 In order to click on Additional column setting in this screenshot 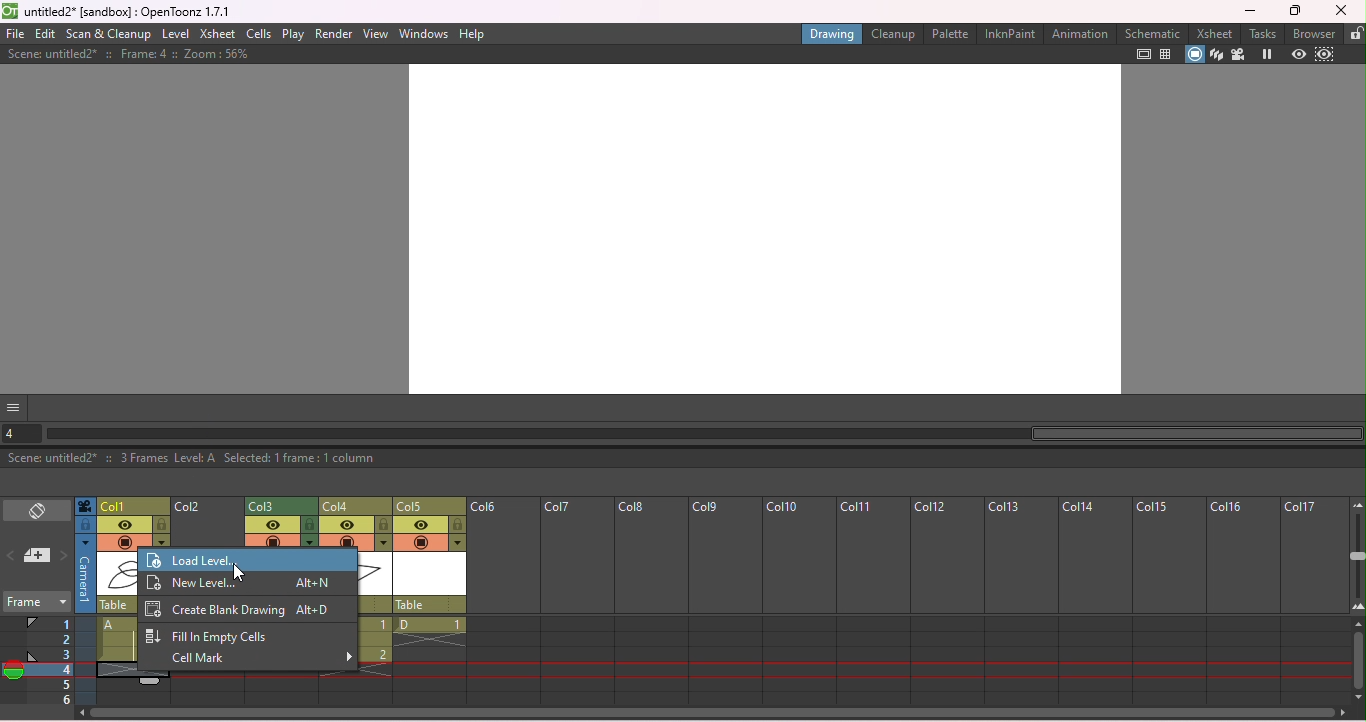, I will do `click(161, 543)`.